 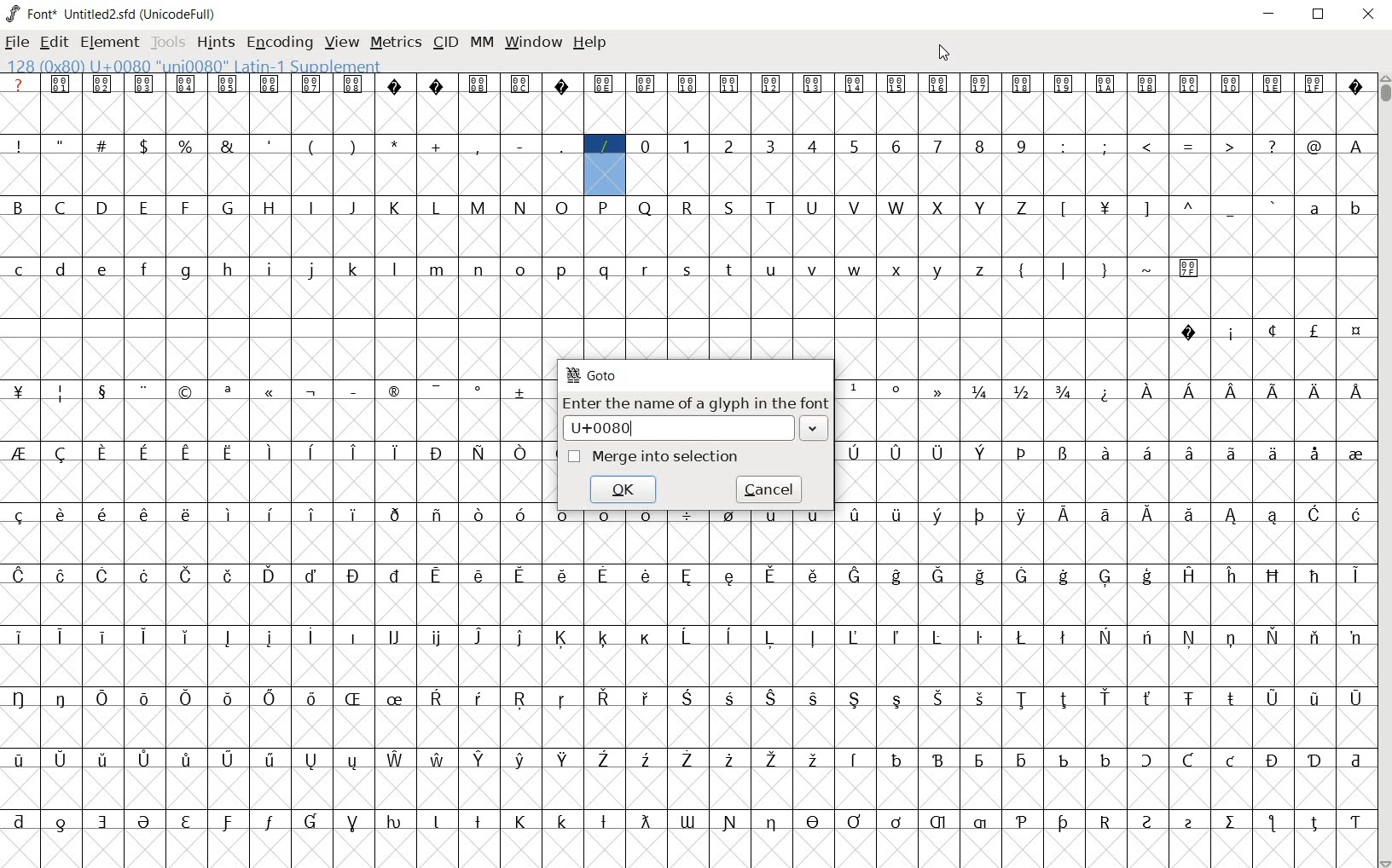 What do you see at coordinates (812, 208) in the screenshot?
I see `glyph` at bounding box center [812, 208].